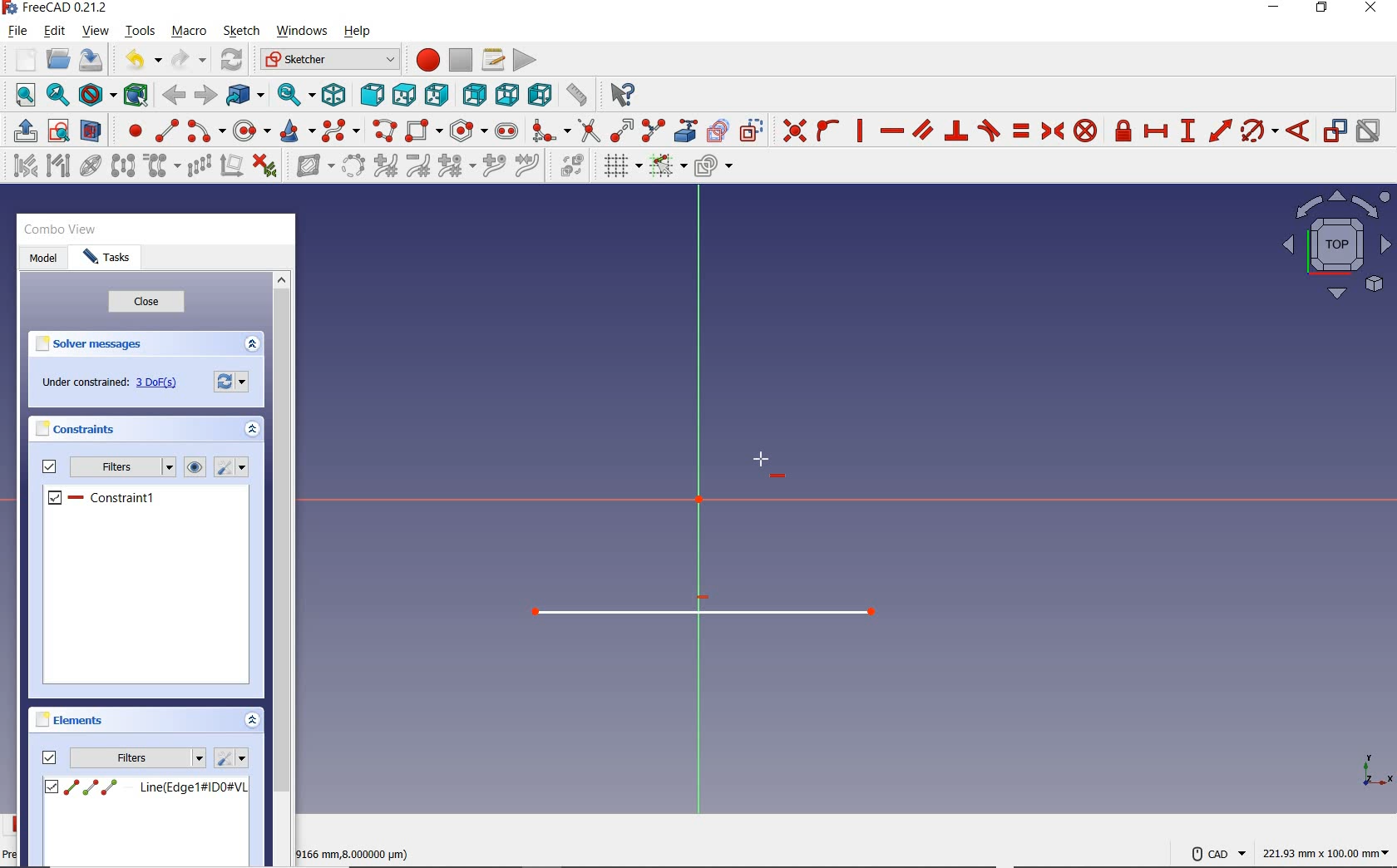  What do you see at coordinates (356, 853) in the screenshot?
I see `Numbers` at bounding box center [356, 853].